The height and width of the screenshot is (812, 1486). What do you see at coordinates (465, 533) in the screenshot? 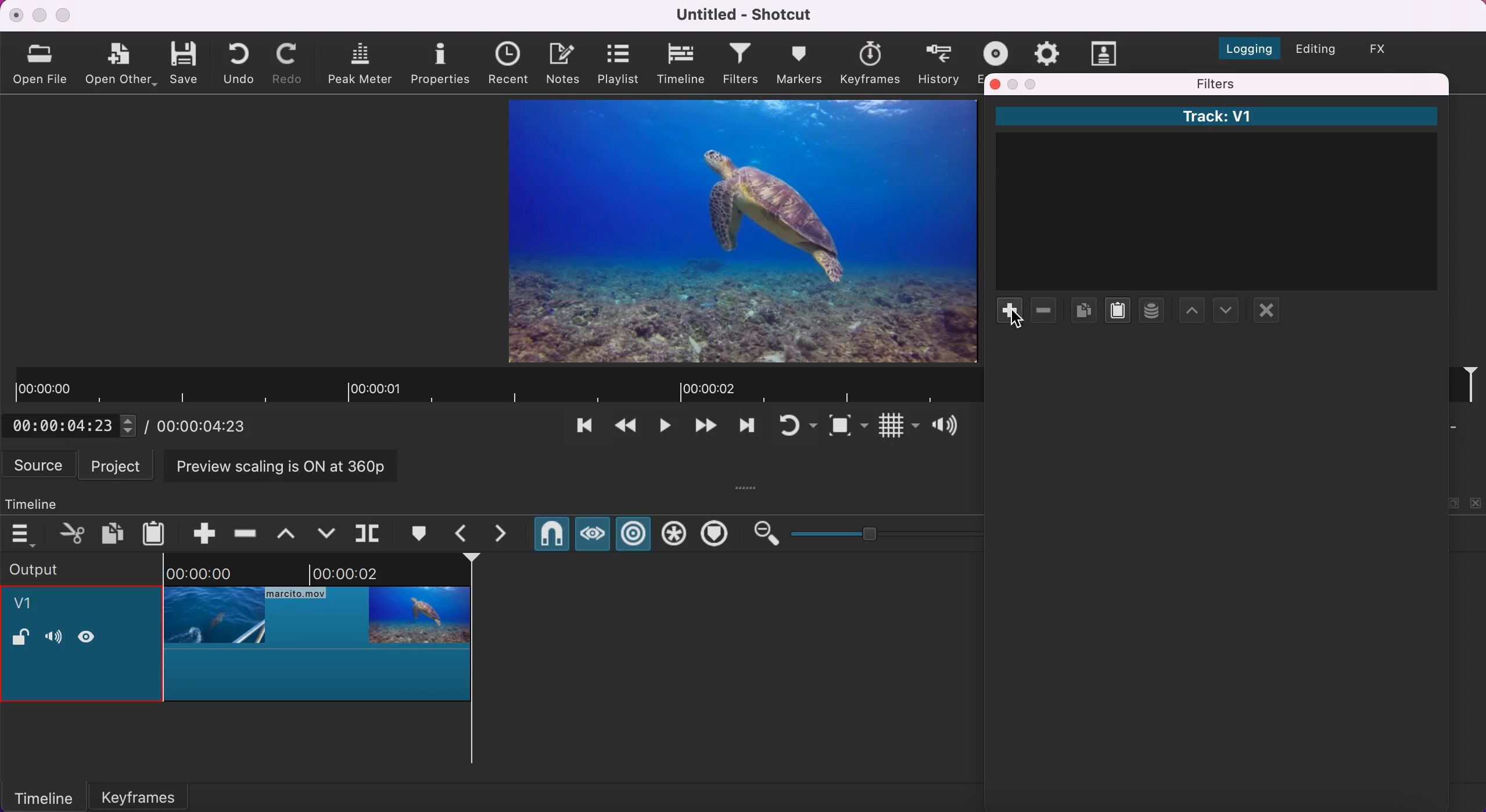
I see `previous marker` at bounding box center [465, 533].